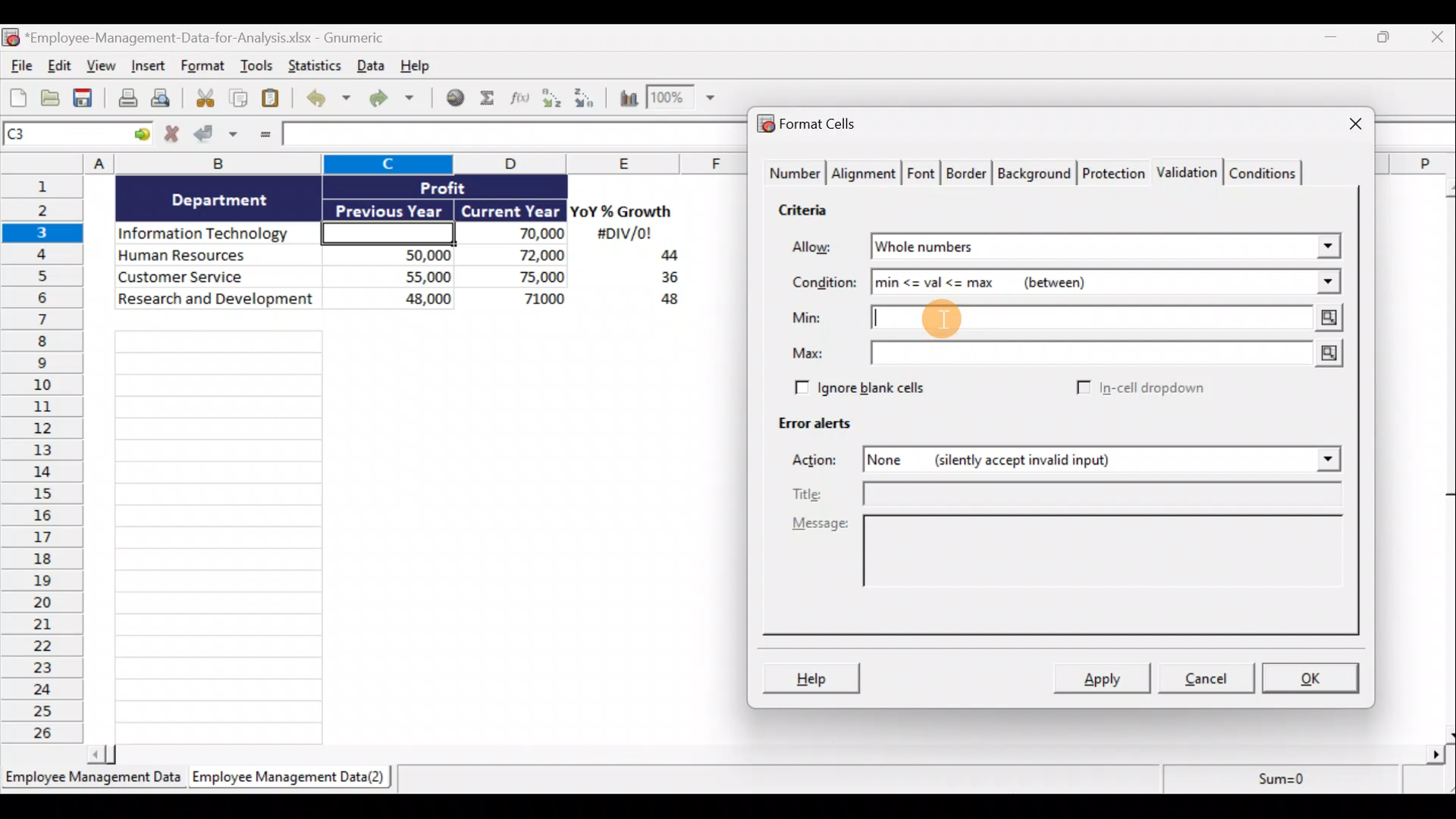  What do you see at coordinates (222, 36) in the screenshot?
I see `*Employee-Management-Data-for-Analysis.xlsx - Gnumeric` at bounding box center [222, 36].